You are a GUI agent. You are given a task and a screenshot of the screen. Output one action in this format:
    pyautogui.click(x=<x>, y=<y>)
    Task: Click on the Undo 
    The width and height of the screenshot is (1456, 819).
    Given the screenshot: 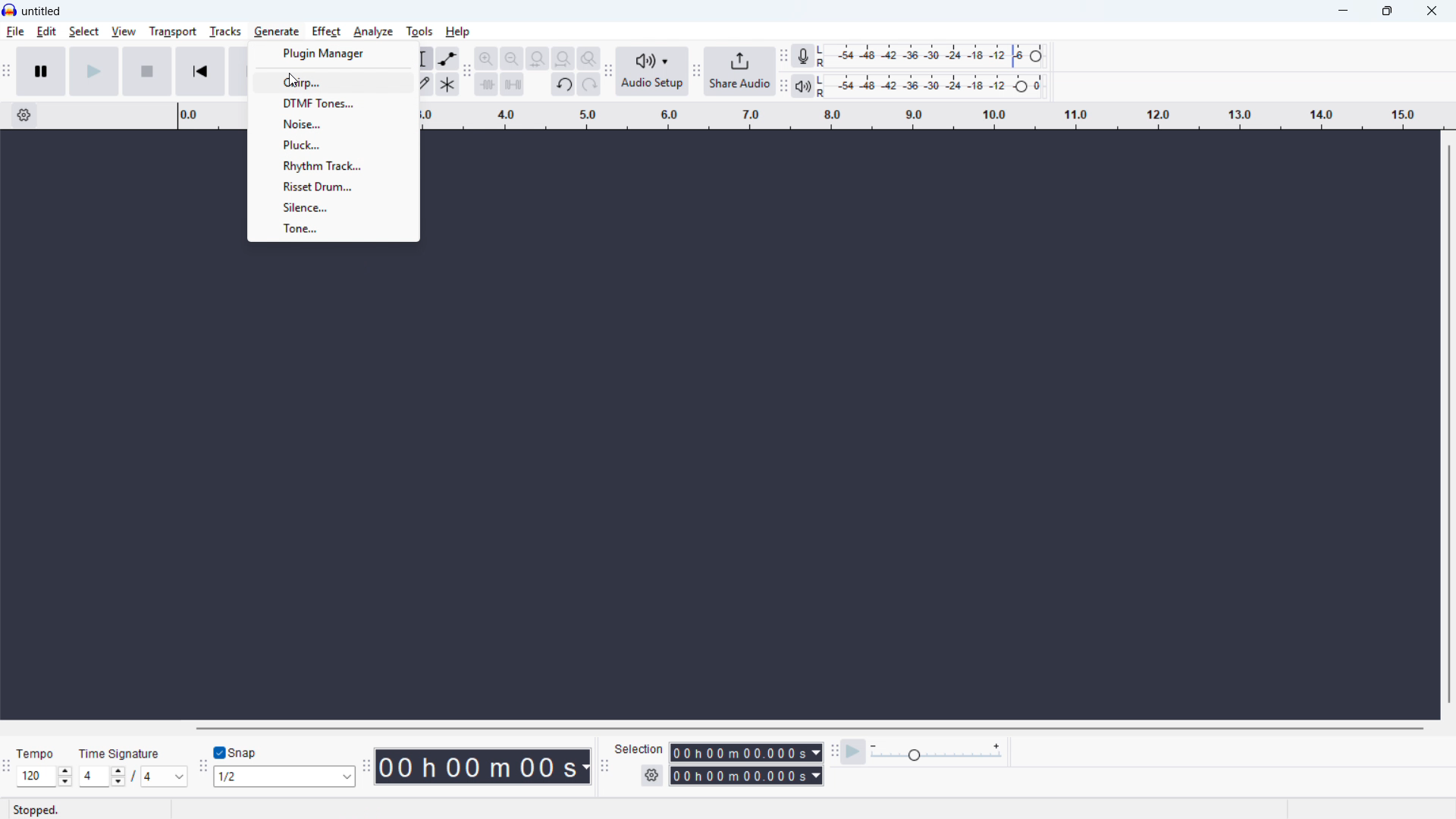 What is the action you would take?
    pyautogui.click(x=564, y=85)
    